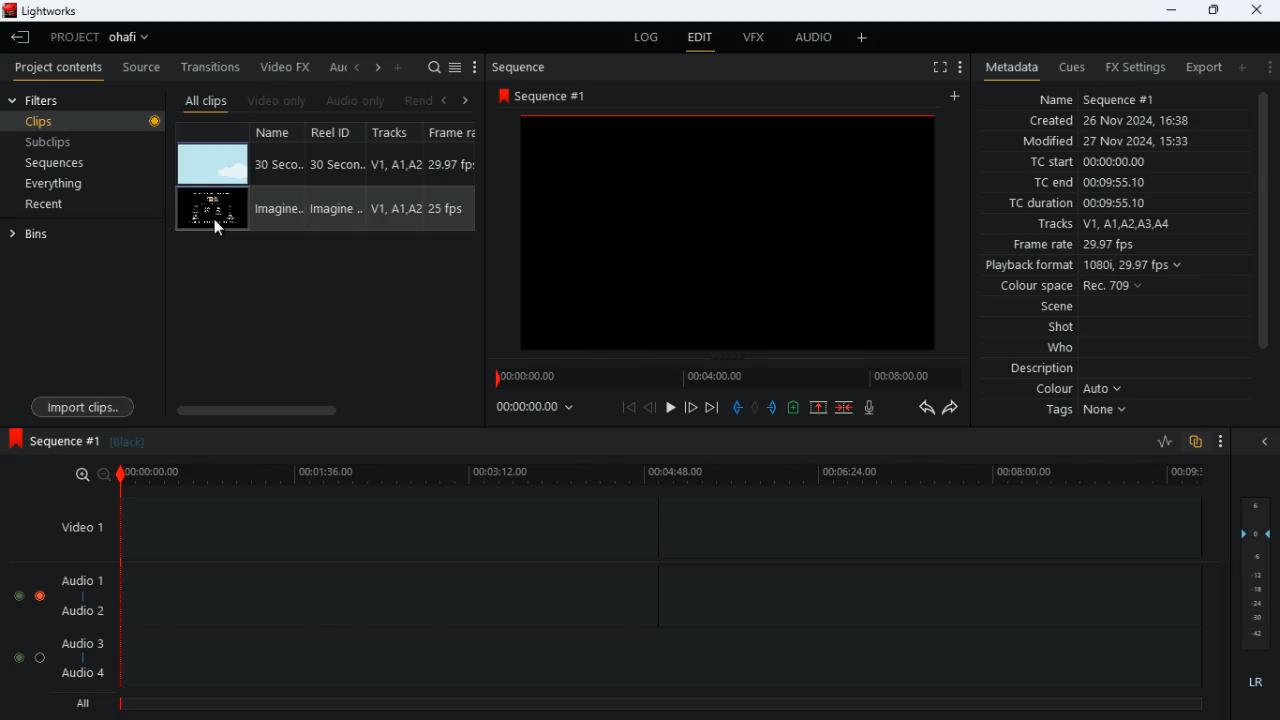 Image resolution: width=1280 pixels, height=720 pixels. What do you see at coordinates (628, 407) in the screenshot?
I see `beggining` at bounding box center [628, 407].